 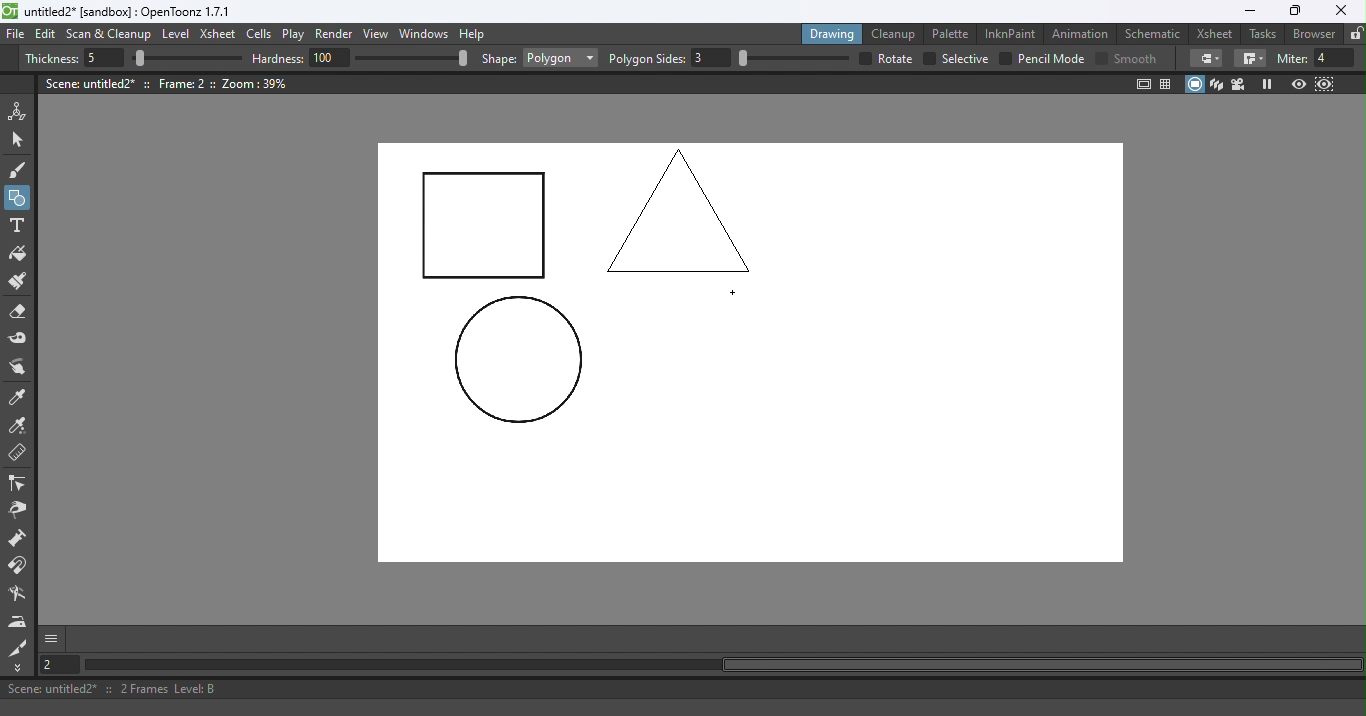 I want to click on miter, so click(x=1291, y=58).